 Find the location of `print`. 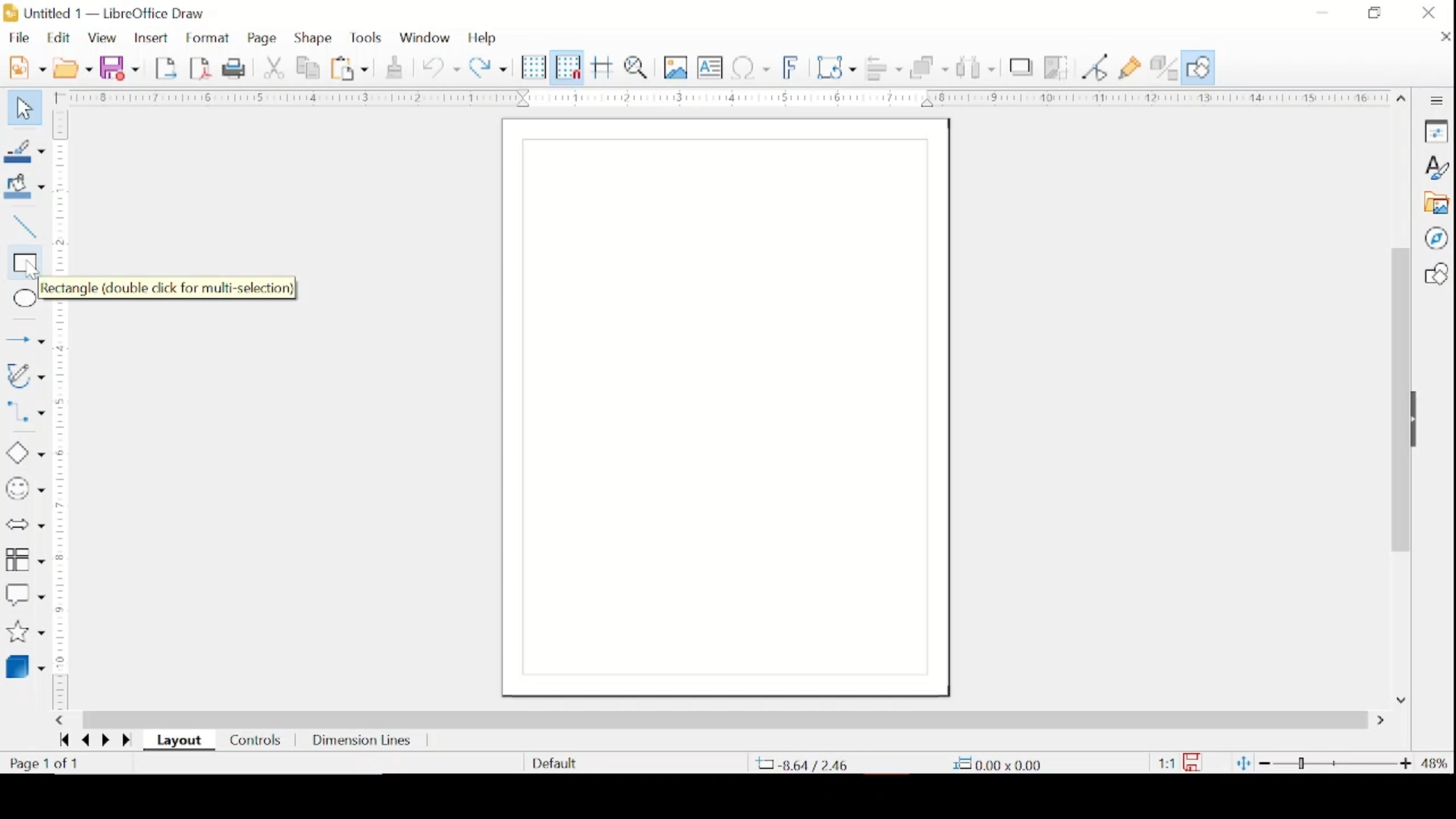

print is located at coordinates (237, 67).